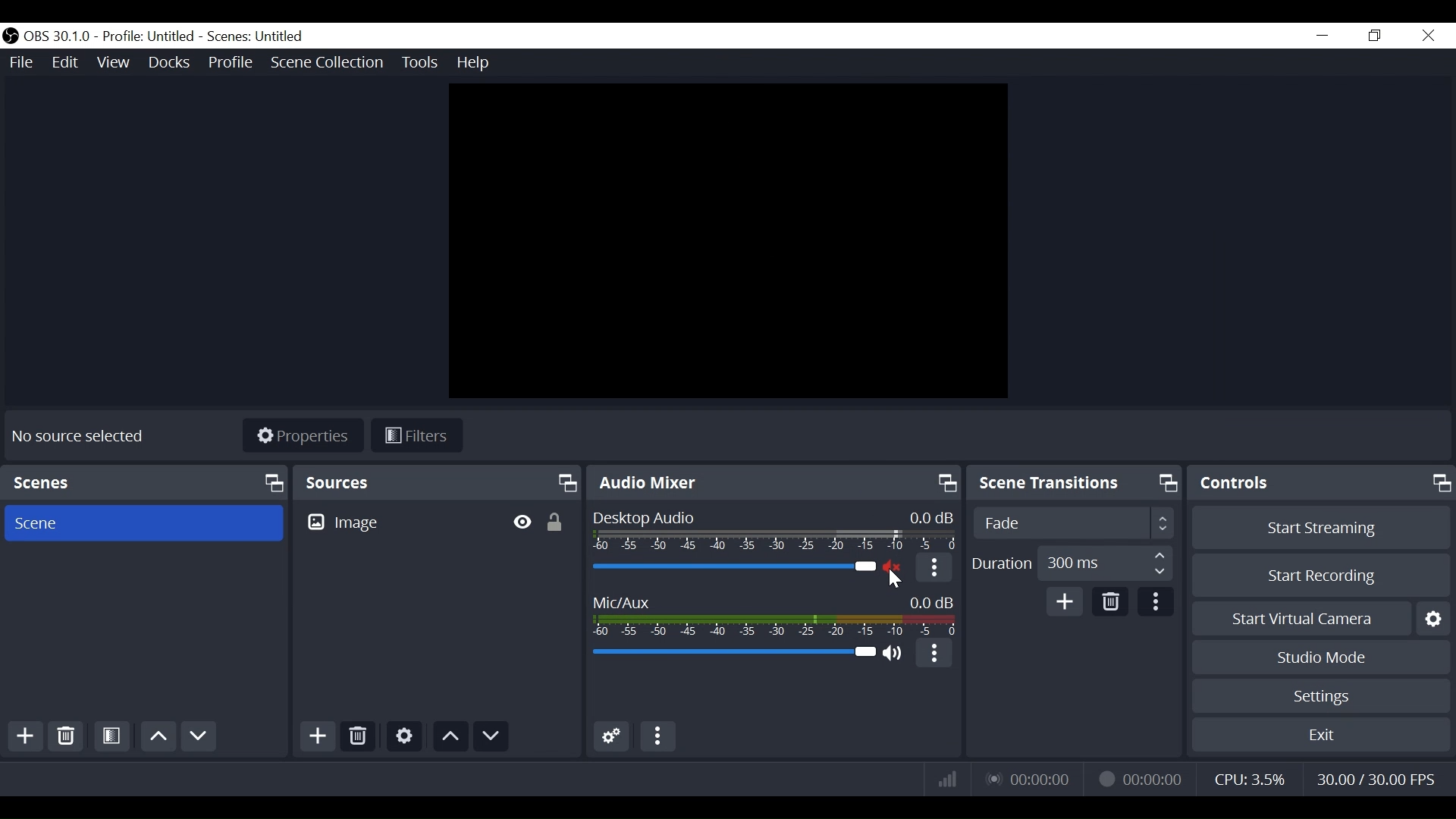  What do you see at coordinates (1378, 780) in the screenshot?
I see `Frame Per Second` at bounding box center [1378, 780].